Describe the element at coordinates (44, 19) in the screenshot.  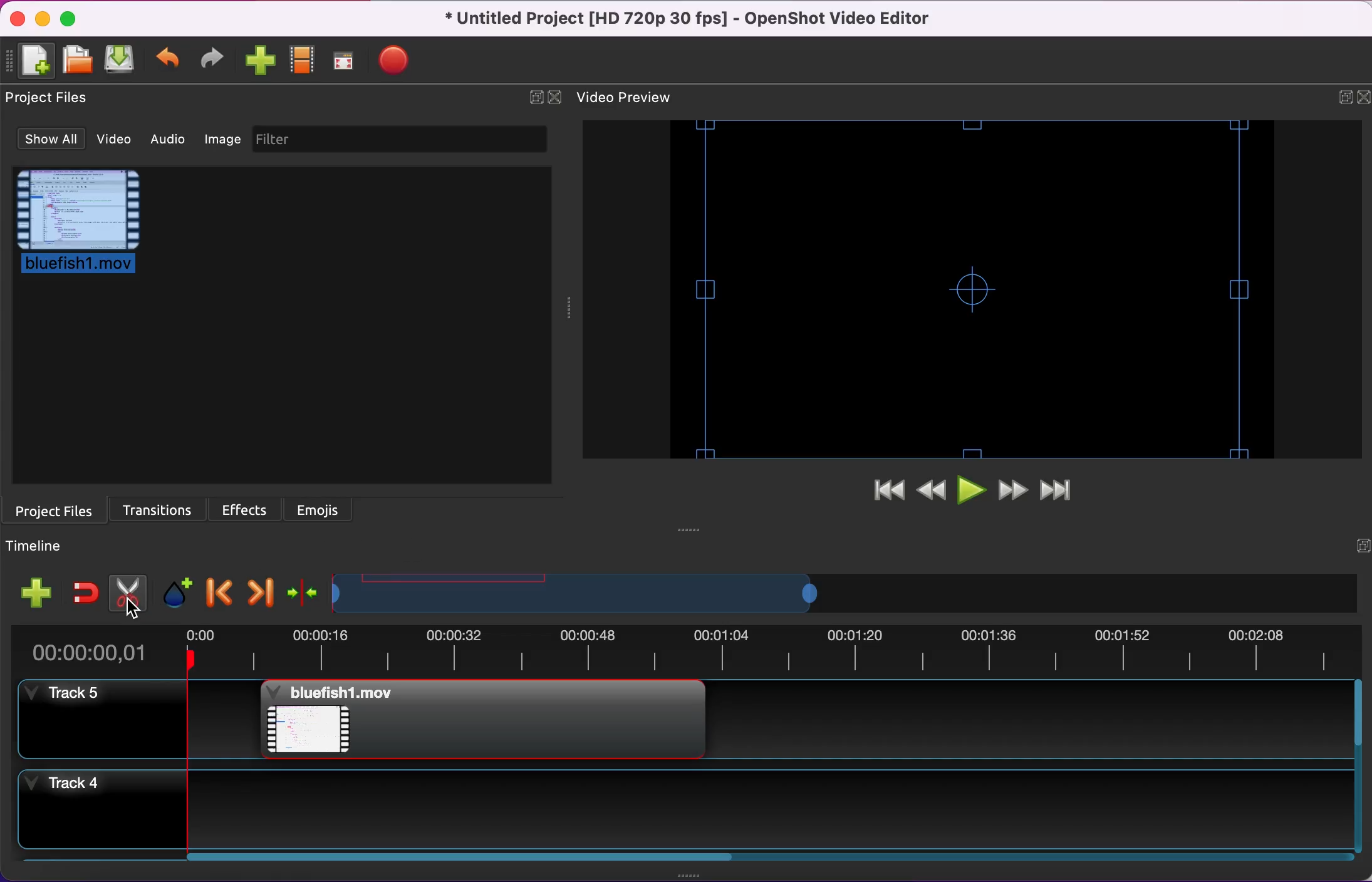
I see `minimize` at that location.